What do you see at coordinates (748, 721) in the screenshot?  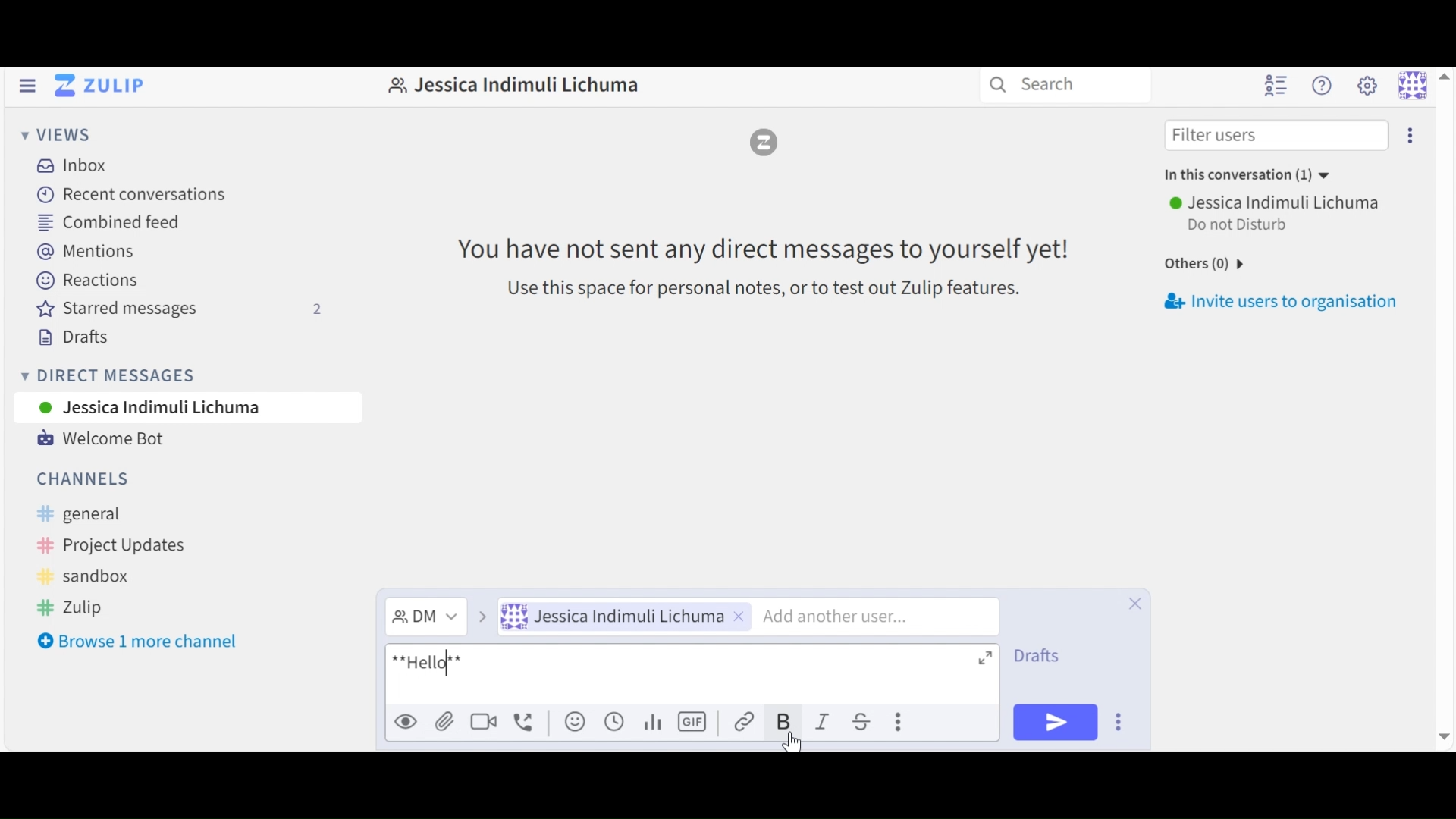 I see `Link` at bounding box center [748, 721].